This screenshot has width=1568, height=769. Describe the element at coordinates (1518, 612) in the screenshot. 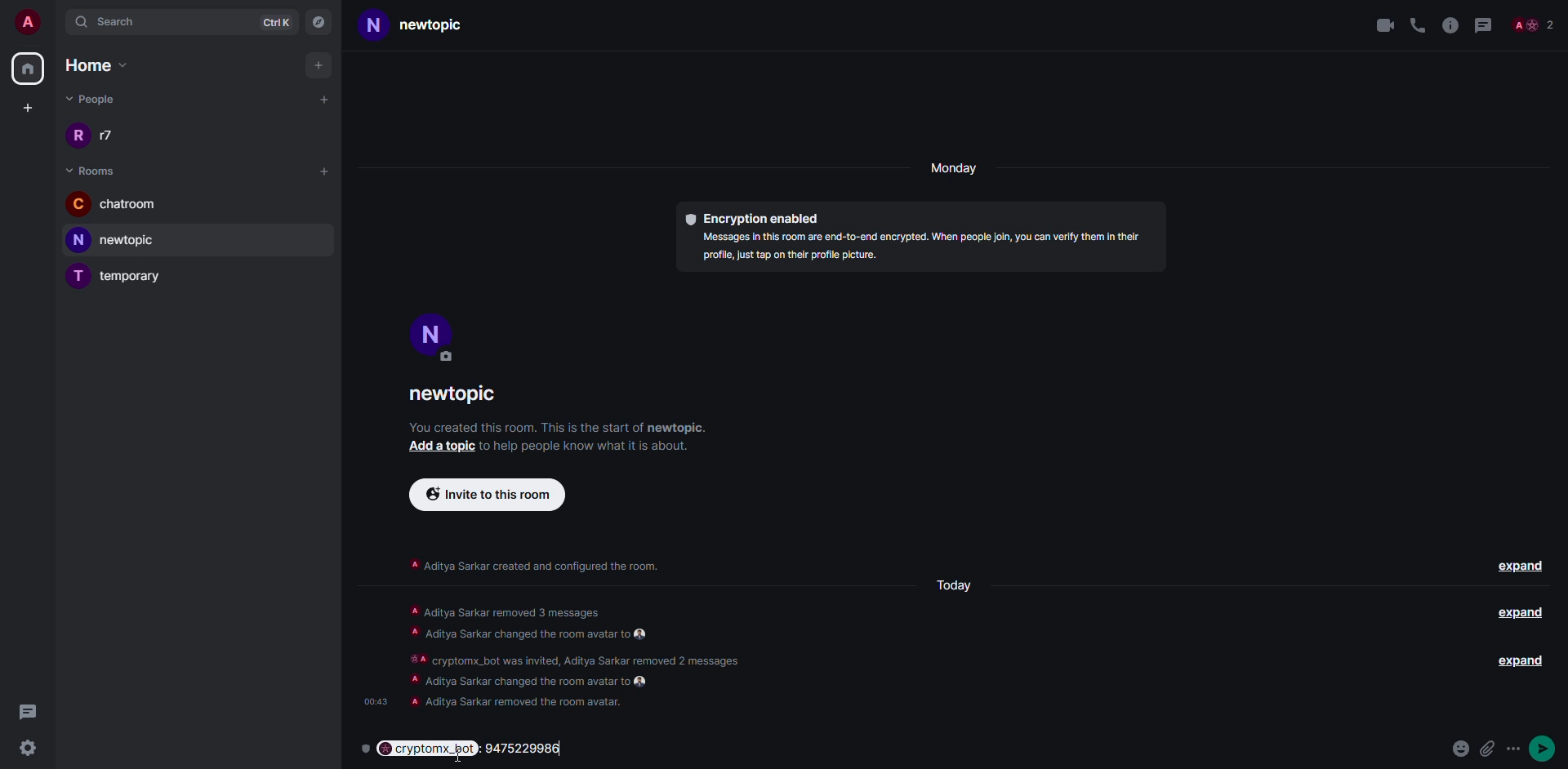

I see `expand` at that location.